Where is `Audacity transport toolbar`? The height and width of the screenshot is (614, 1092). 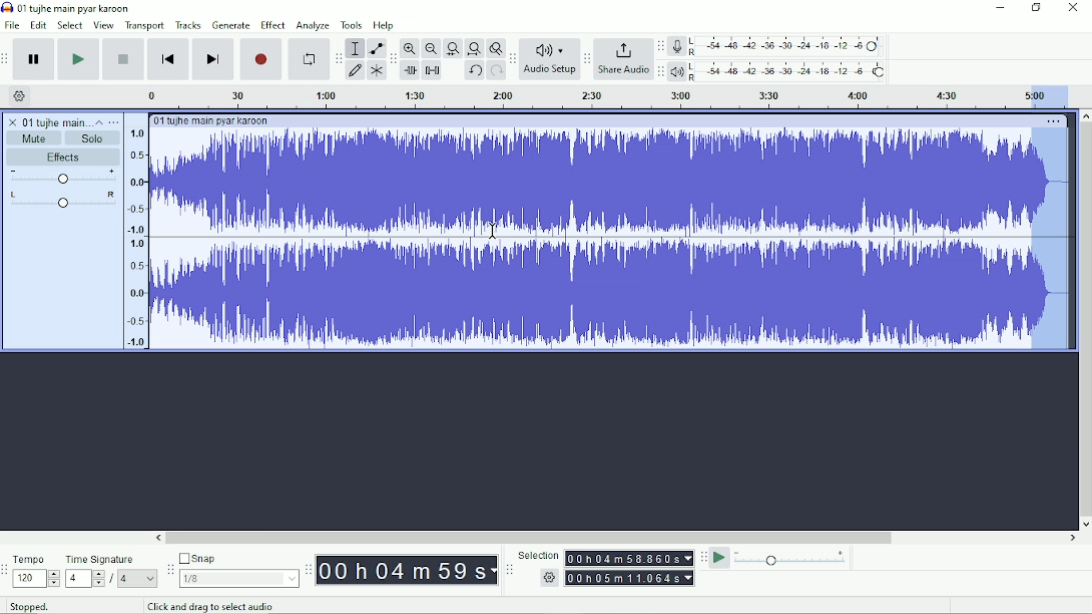
Audacity transport toolbar is located at coordinates (7, 59).